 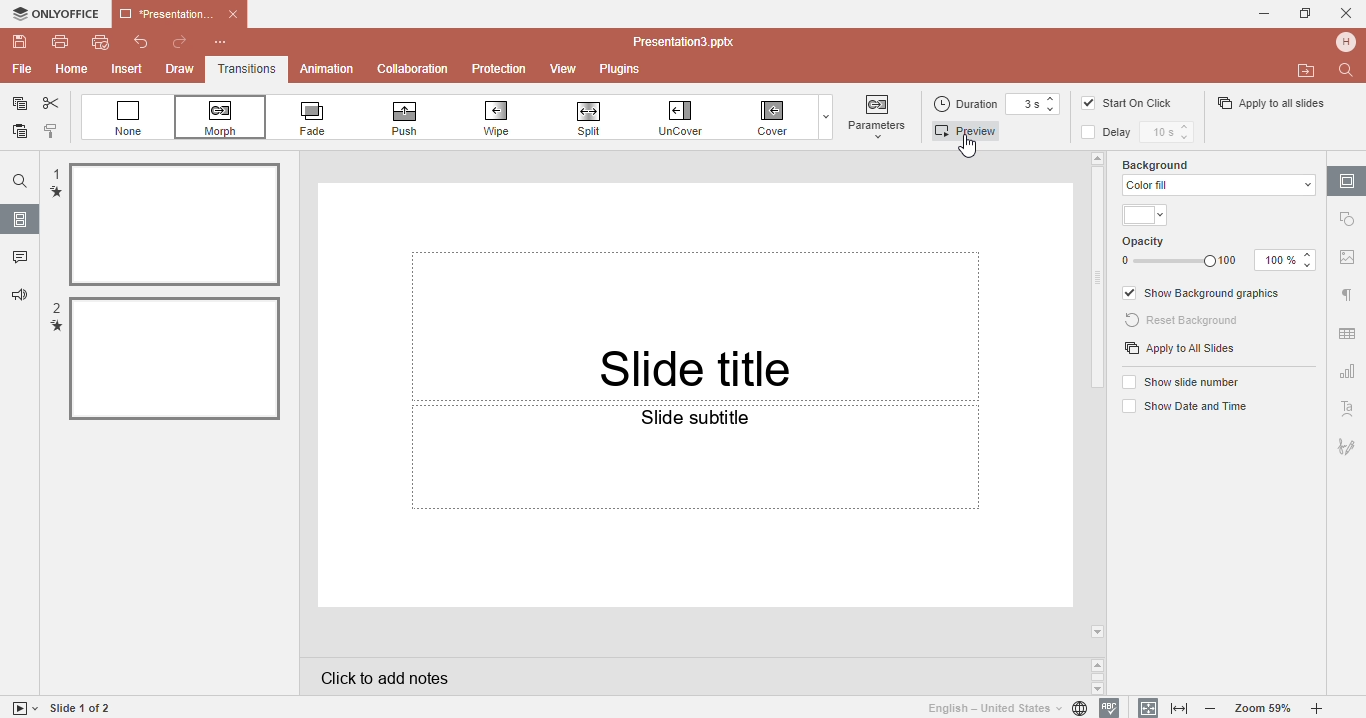 I want to click on Insert, so click(x=129, y=70).